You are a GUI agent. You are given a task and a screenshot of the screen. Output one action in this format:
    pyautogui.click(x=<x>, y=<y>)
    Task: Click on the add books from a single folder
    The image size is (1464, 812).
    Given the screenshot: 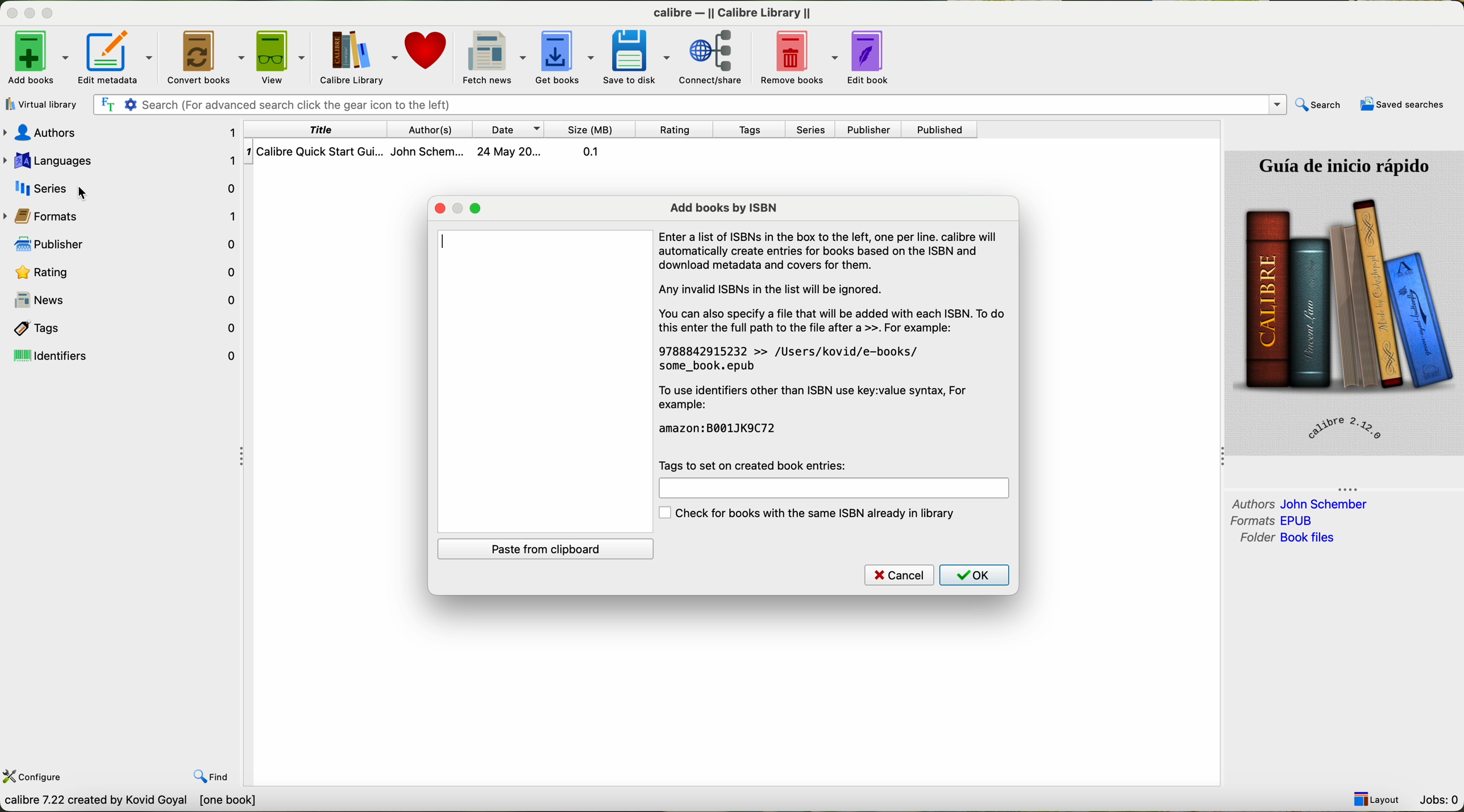 What is the action you would take?
    pyautogui.click(x=45, y=101)
    